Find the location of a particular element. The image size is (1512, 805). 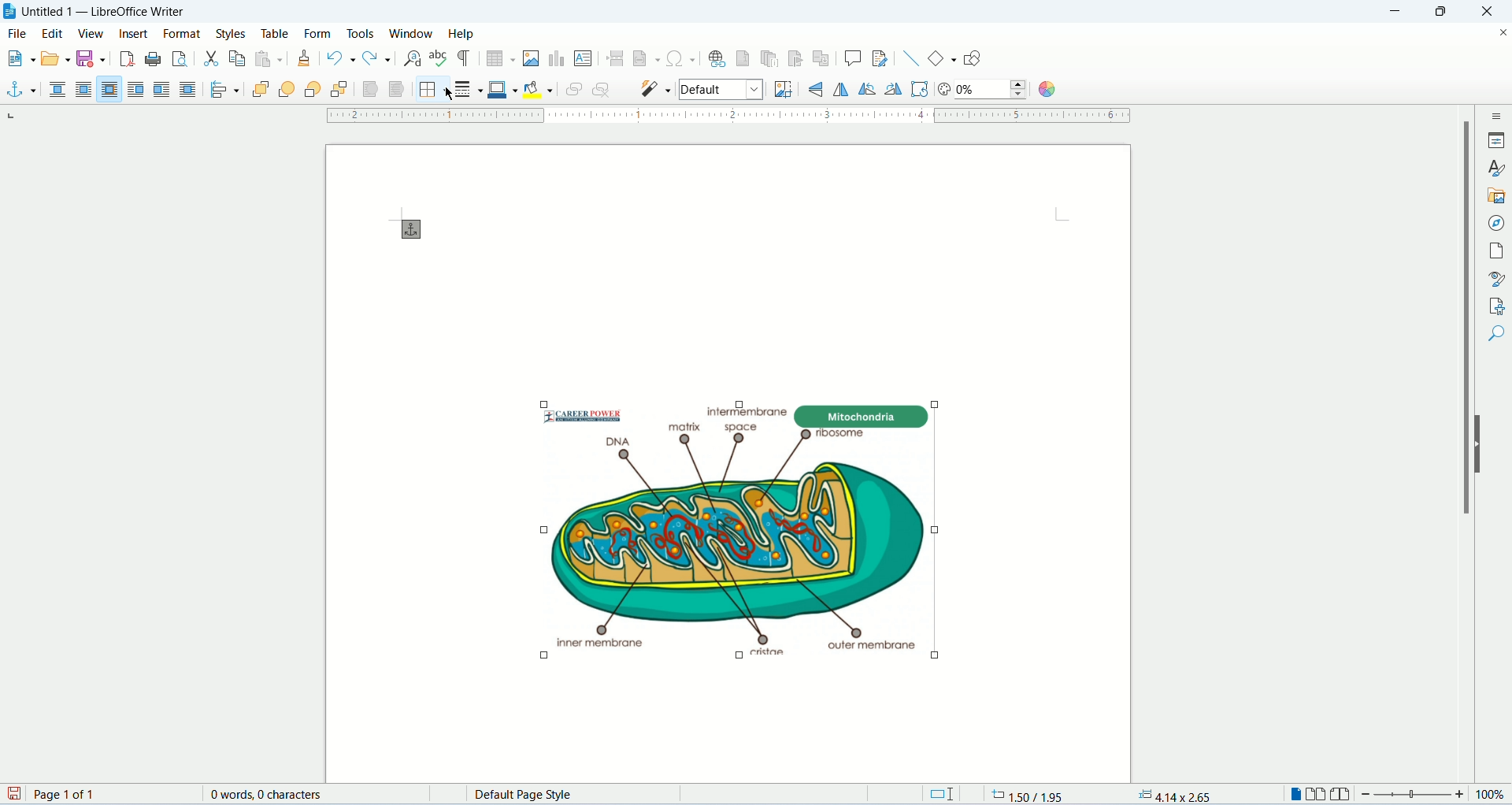

insert hyper link is located at coordinates (717, 58).